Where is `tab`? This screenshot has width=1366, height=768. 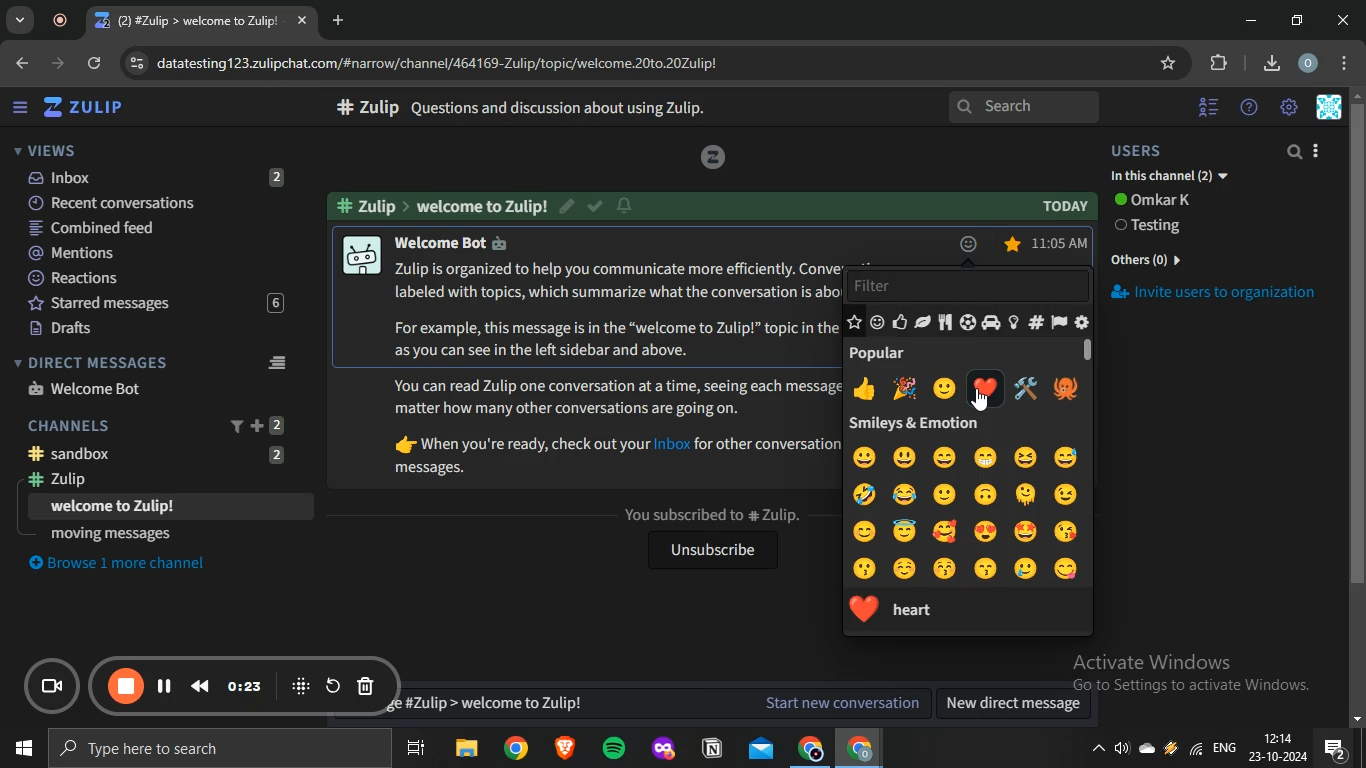 tab is located at coordinates (190, 21).